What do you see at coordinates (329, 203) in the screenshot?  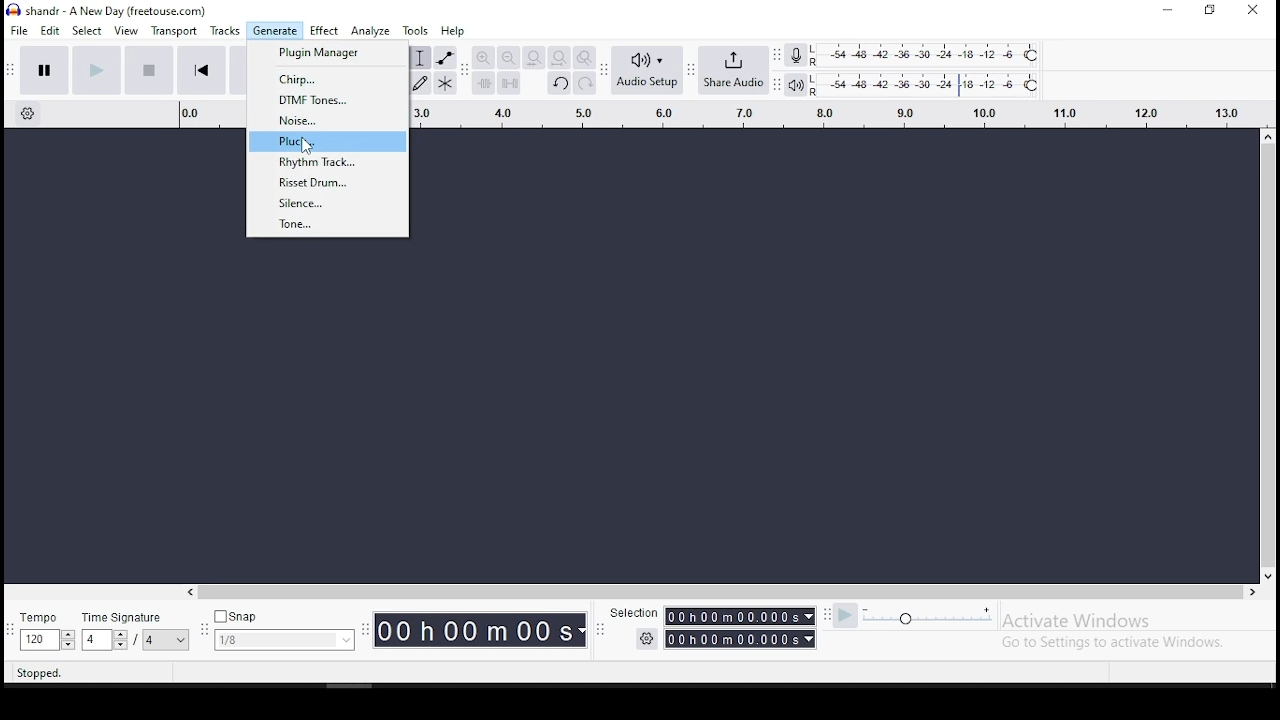 I see `silence` at bounding box center [329, 203].